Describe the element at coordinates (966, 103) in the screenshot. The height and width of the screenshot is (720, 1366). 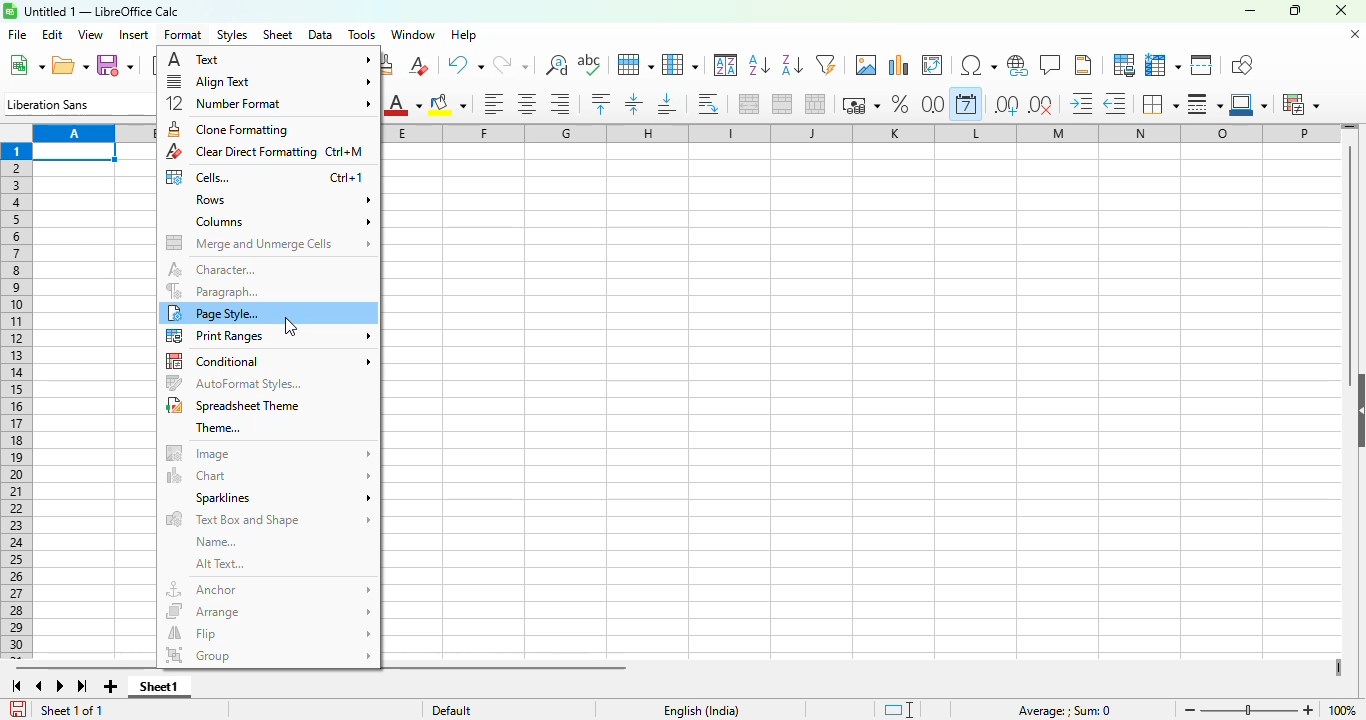
I see `format as date` at that location.